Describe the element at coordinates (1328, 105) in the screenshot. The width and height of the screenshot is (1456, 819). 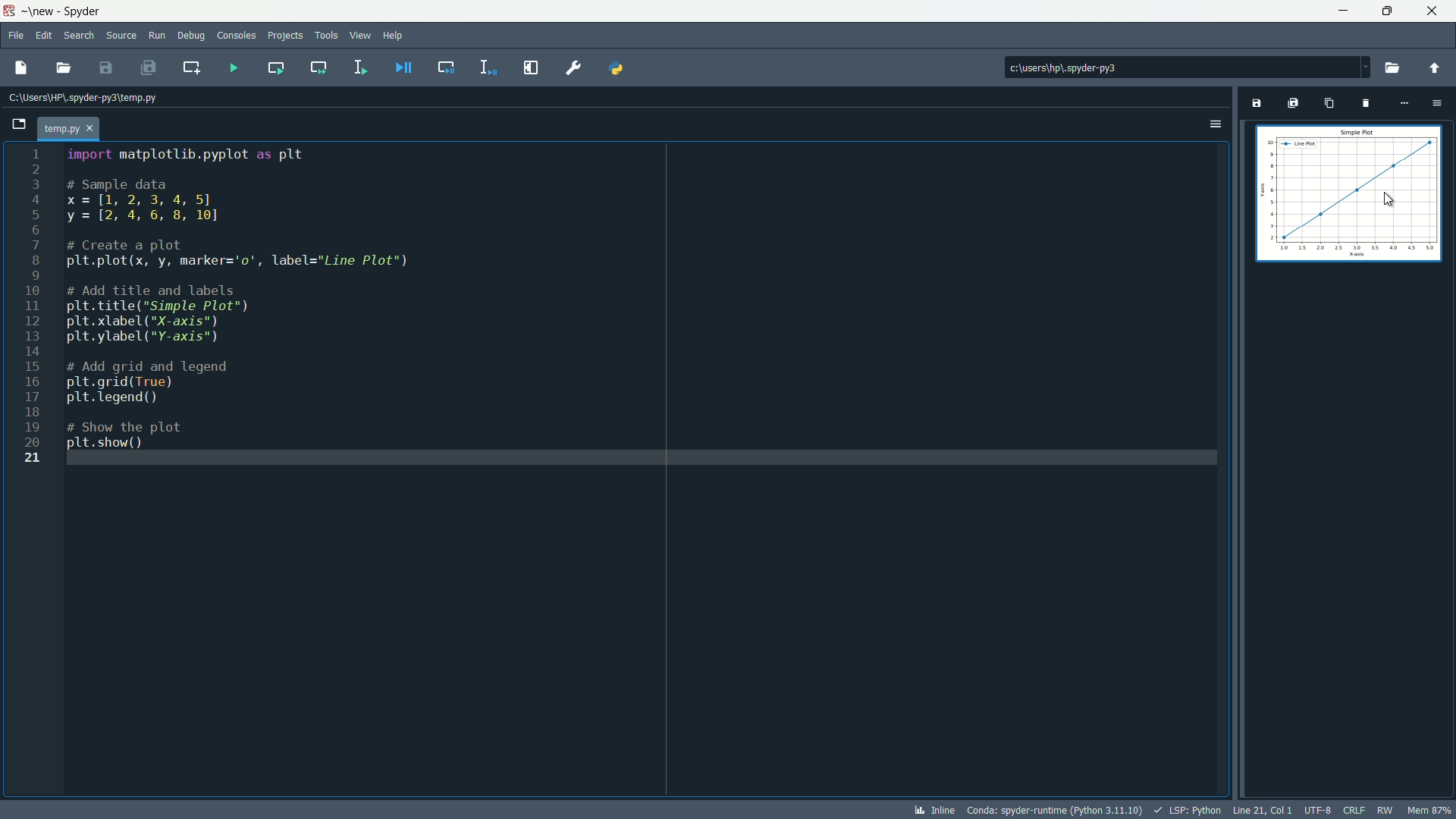
I see `copy plot to clopboard as image` at that location.